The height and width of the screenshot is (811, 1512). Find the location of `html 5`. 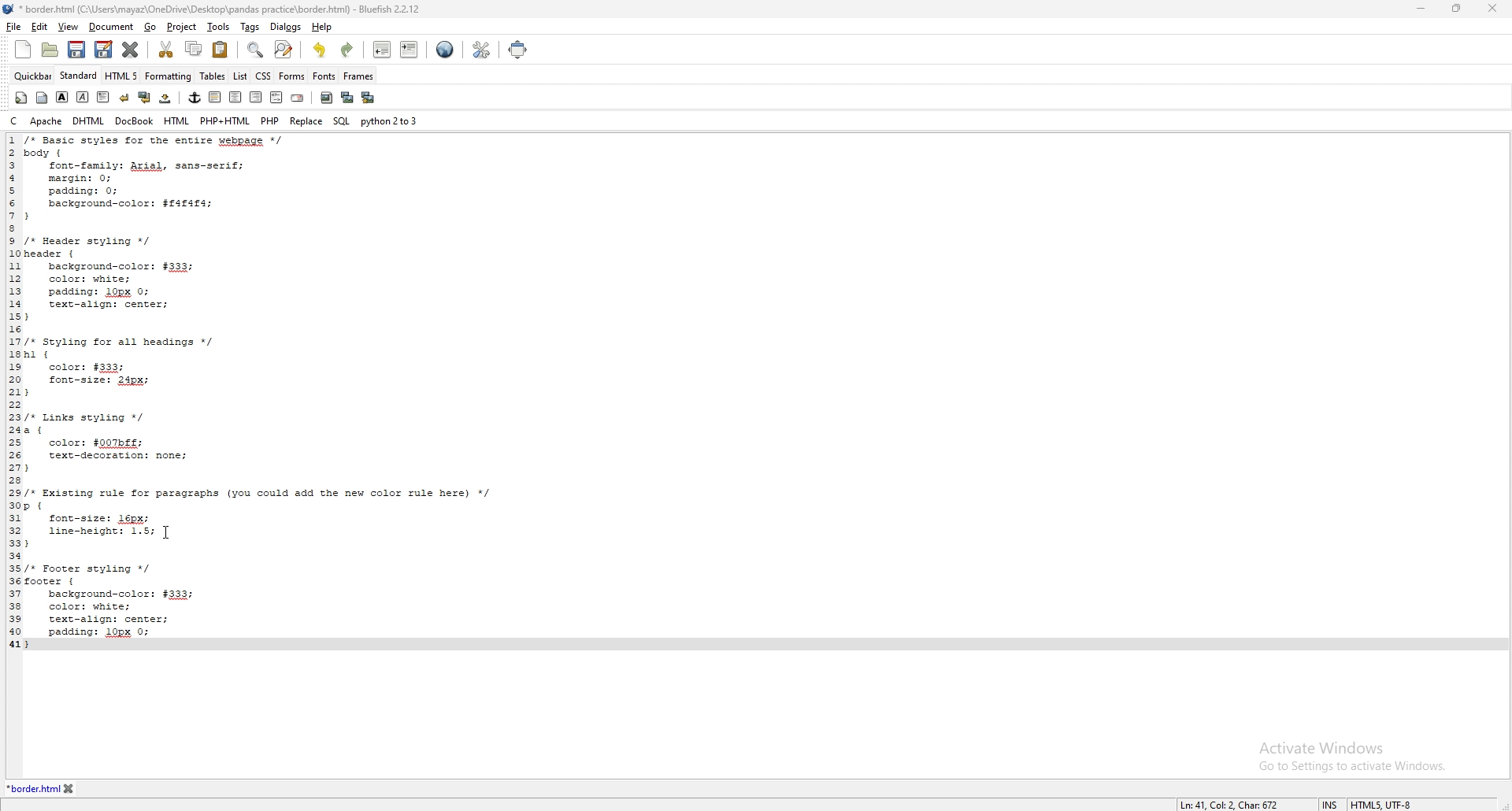

html 5 is located at coordinates (122, 76).